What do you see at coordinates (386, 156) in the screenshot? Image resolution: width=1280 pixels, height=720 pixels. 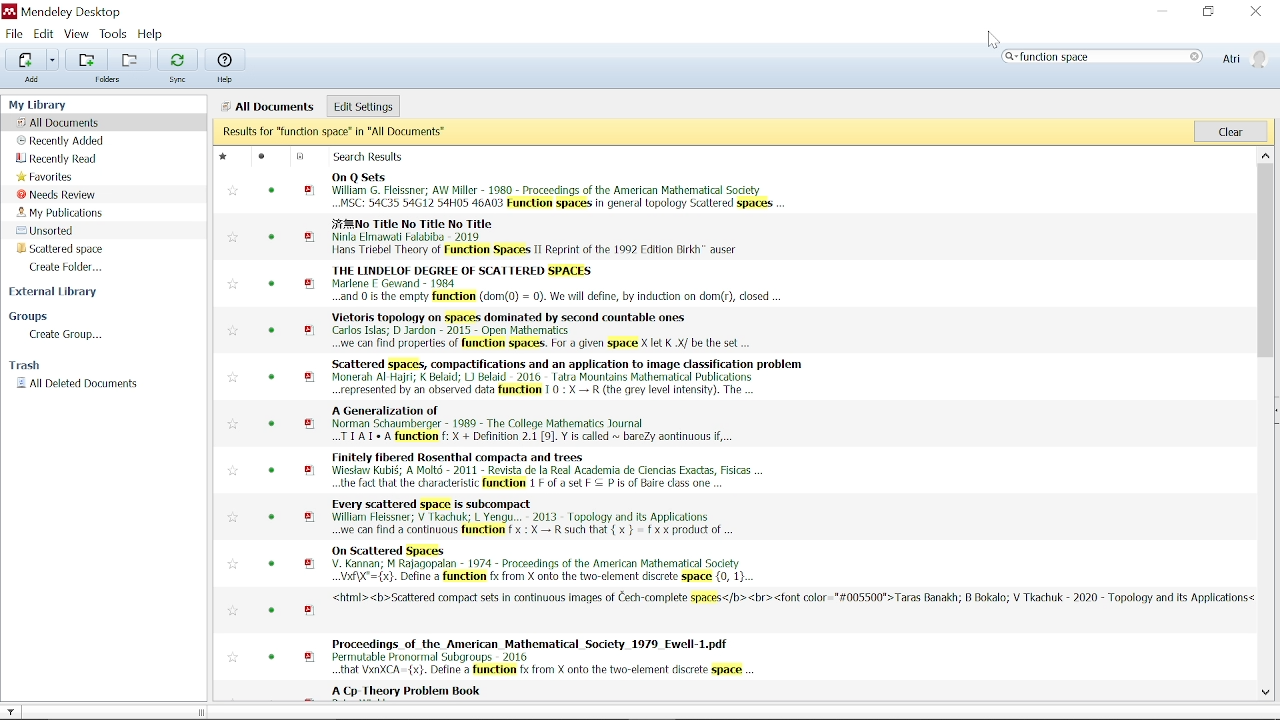 I see `Search results` at bounding box center [386, 156].